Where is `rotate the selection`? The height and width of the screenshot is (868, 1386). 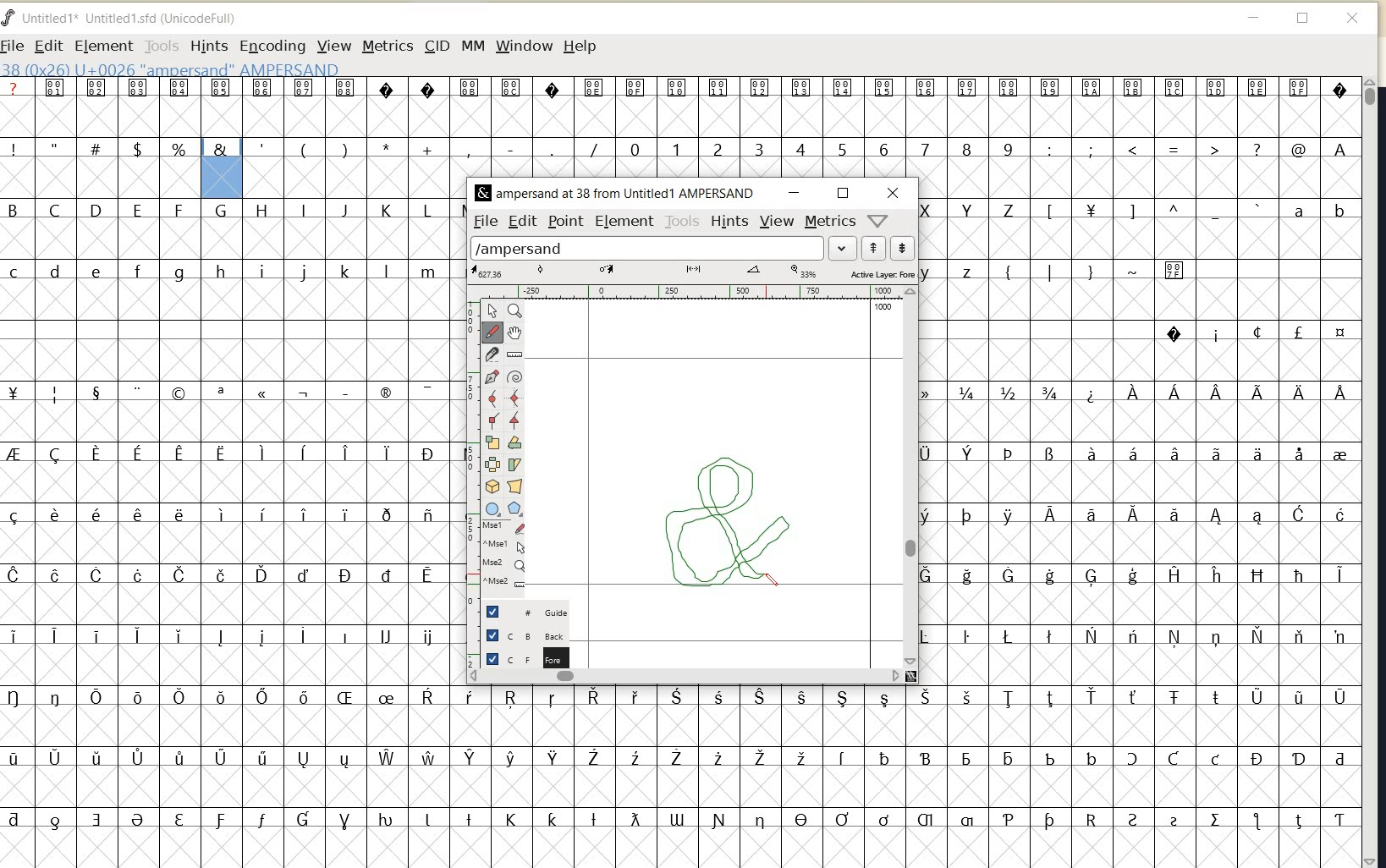
rotate the selection is located at coordinates (515, 442).